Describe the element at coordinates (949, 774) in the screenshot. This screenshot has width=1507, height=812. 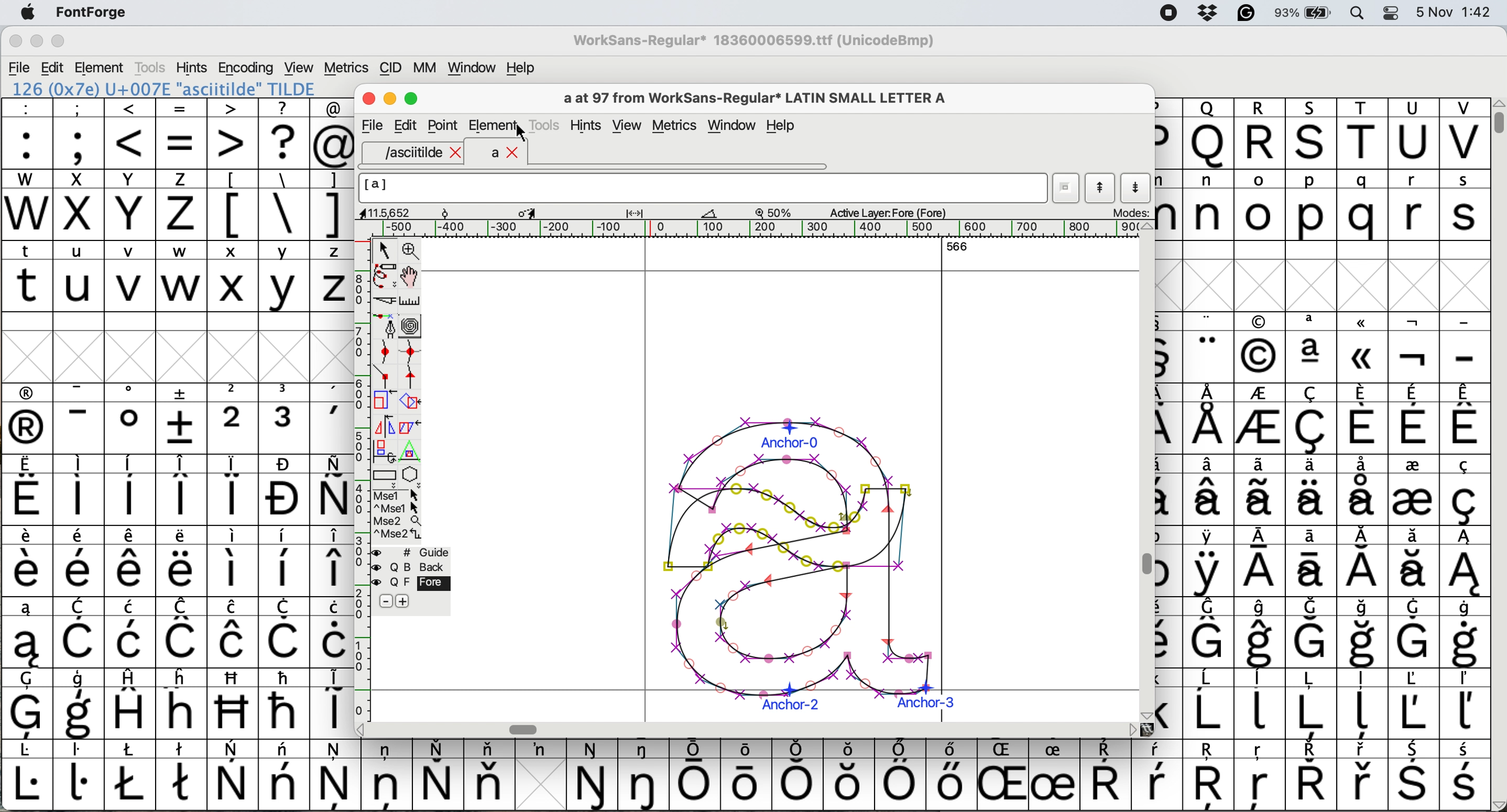
I see `symbol` at that location.